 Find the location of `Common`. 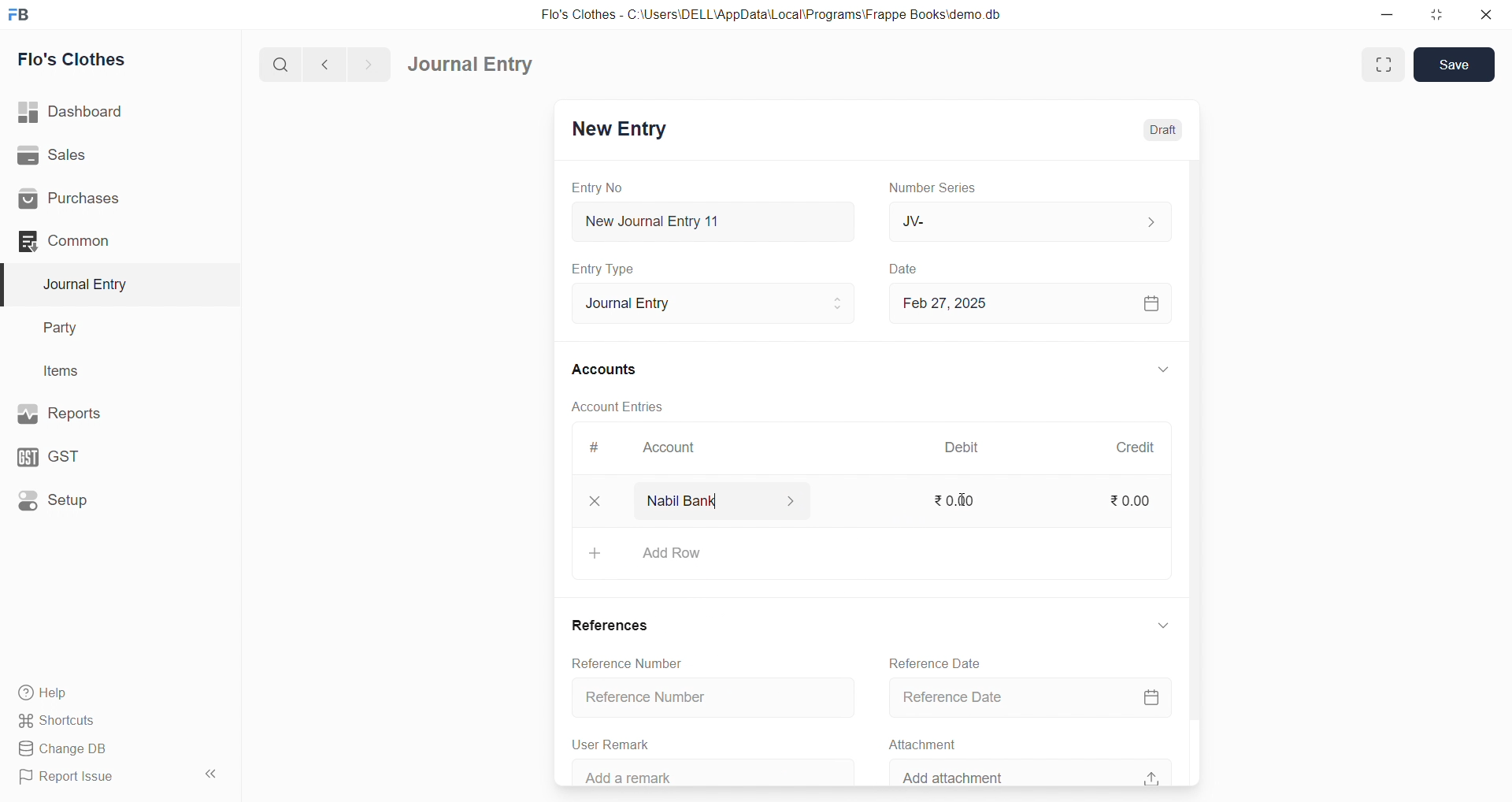

Common is located at coordinates (94, 242).